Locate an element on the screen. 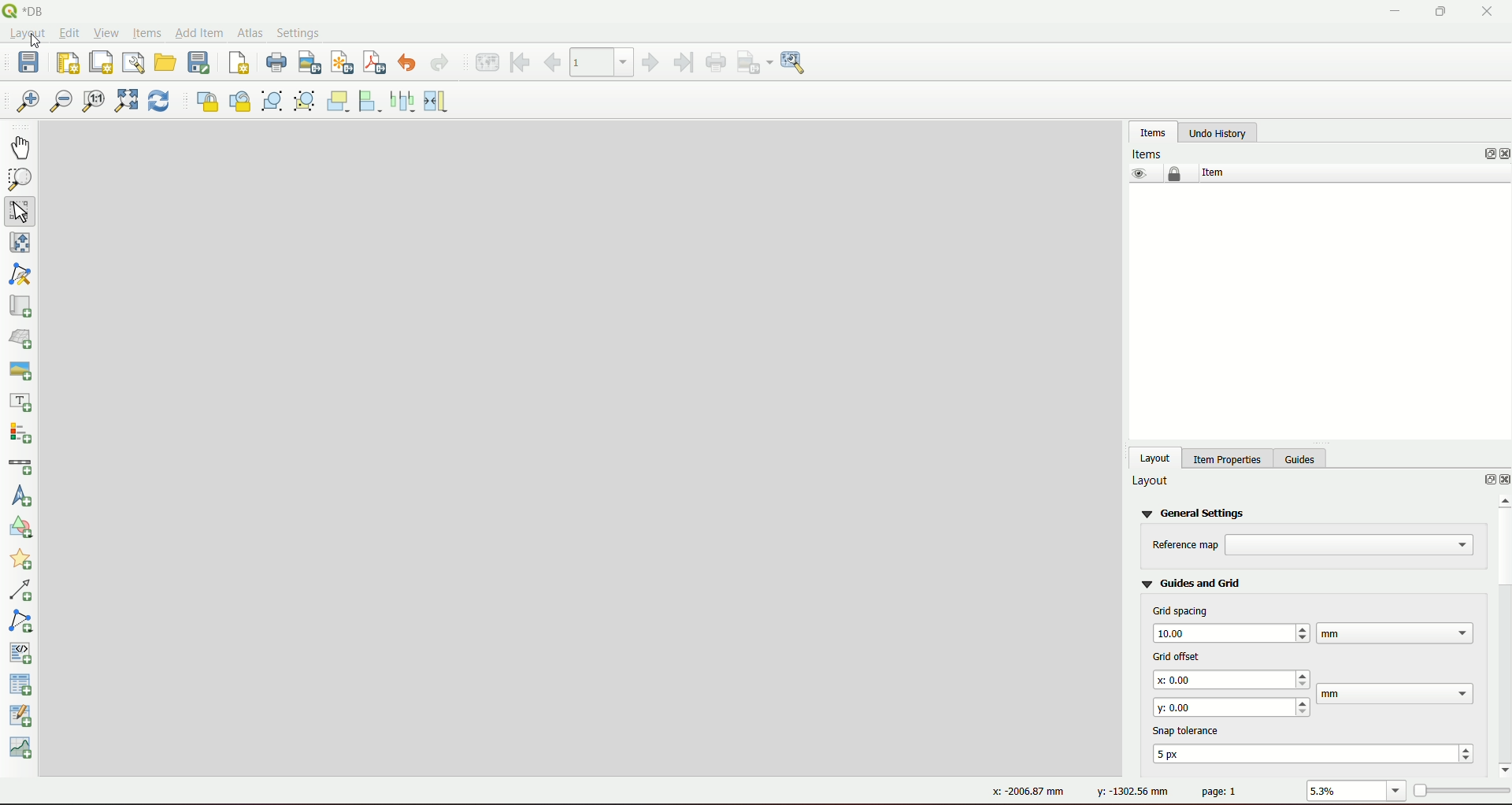  distributes left edges is located at coordinates (405, 100).